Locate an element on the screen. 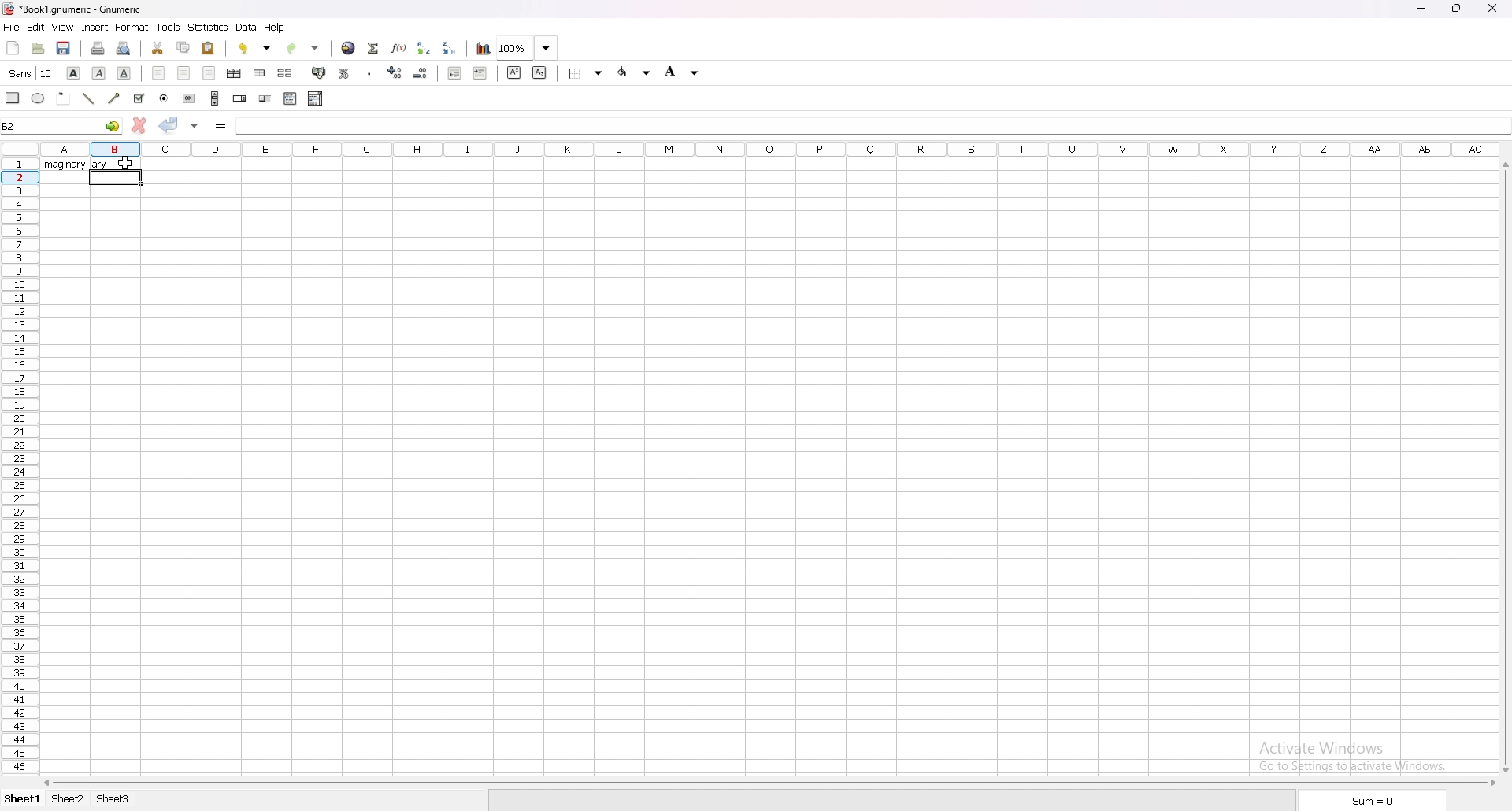  right align is located at coordinates (209, 72).